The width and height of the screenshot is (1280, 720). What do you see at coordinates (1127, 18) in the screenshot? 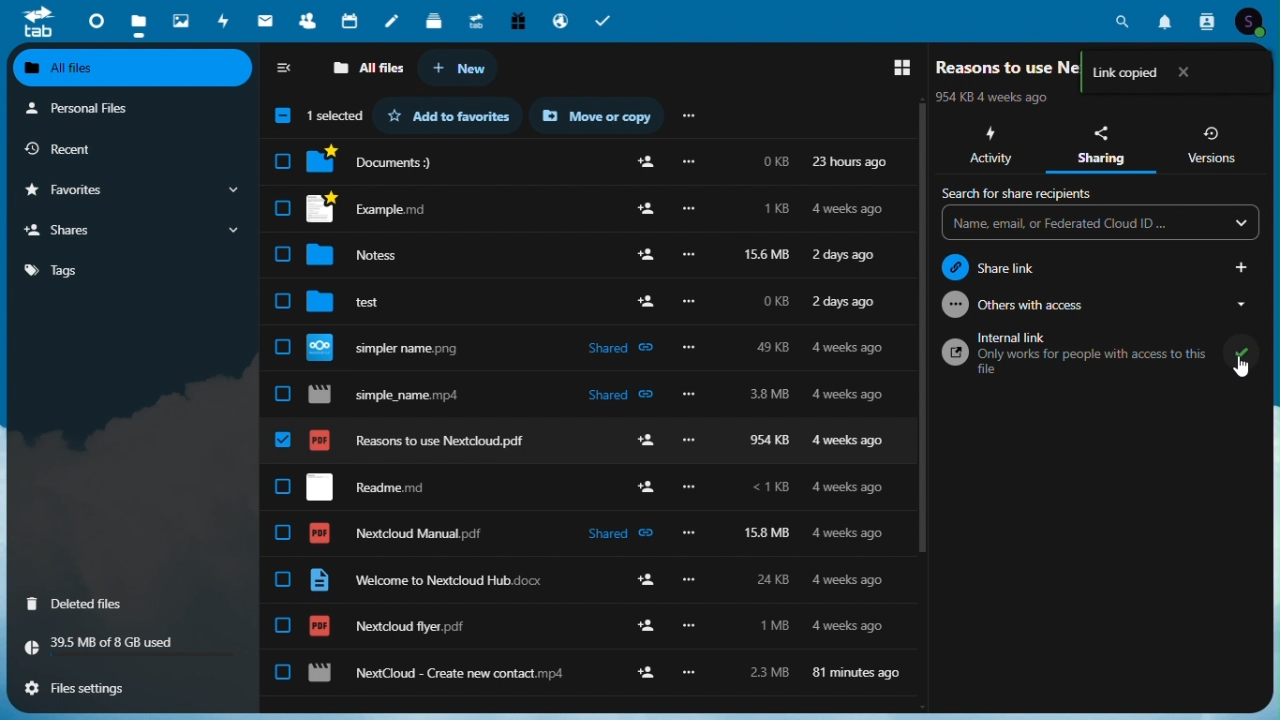
I see `search` at bounding box center [1127, 18].